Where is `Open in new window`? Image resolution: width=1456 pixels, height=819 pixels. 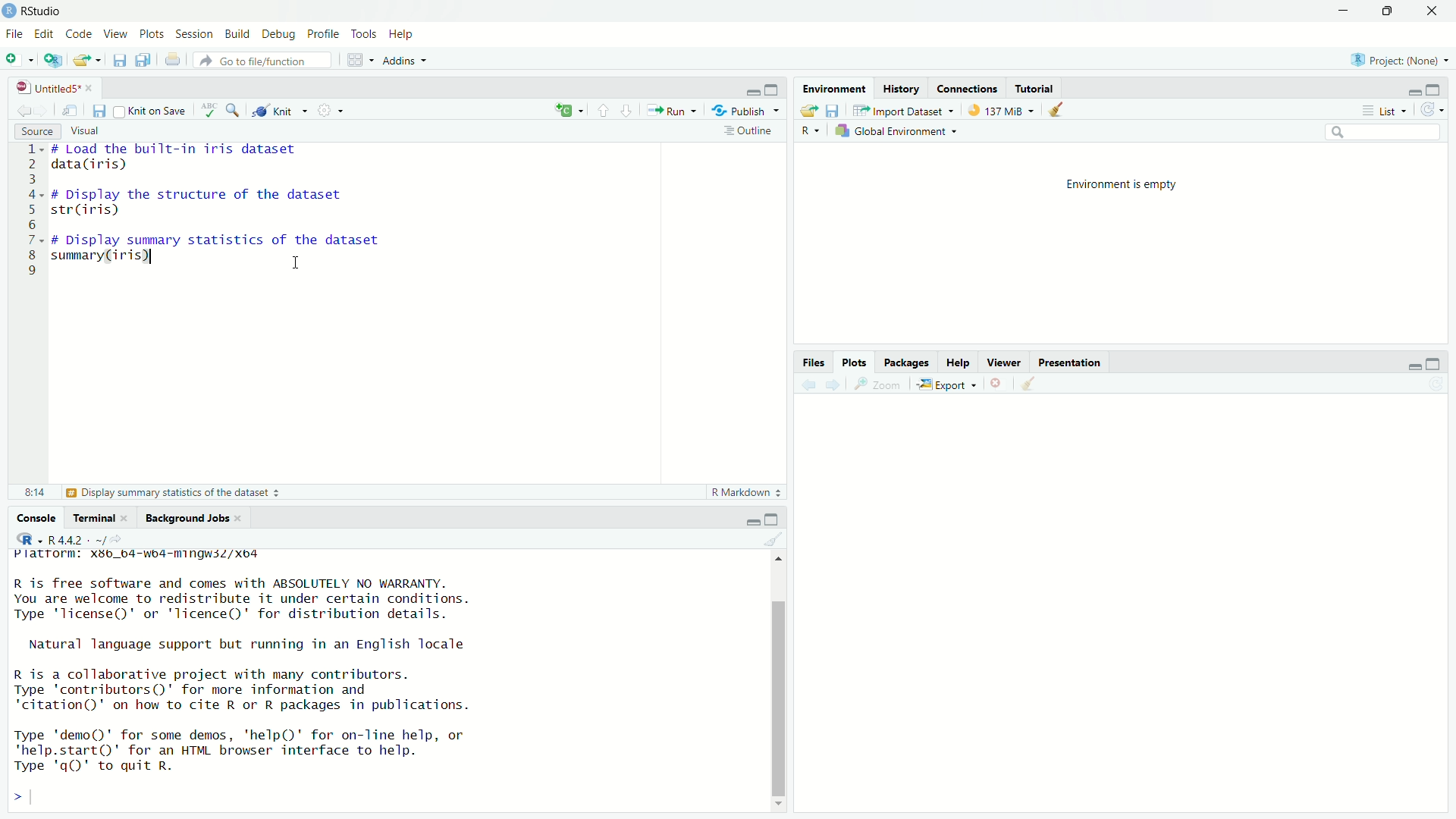
Open in new window is located at coordinates (71, 109).